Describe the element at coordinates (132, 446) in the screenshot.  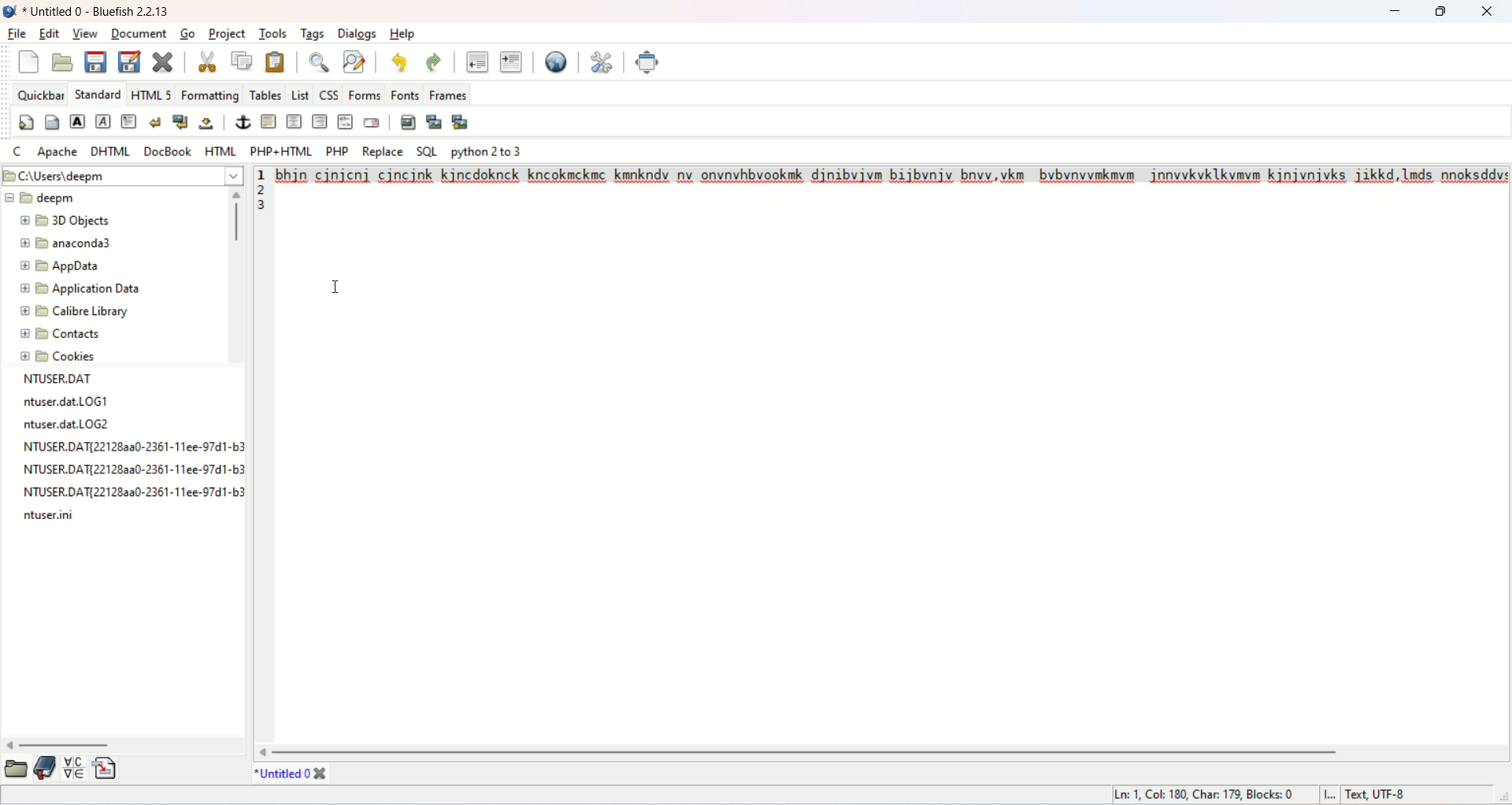
I see `file name` at that location.